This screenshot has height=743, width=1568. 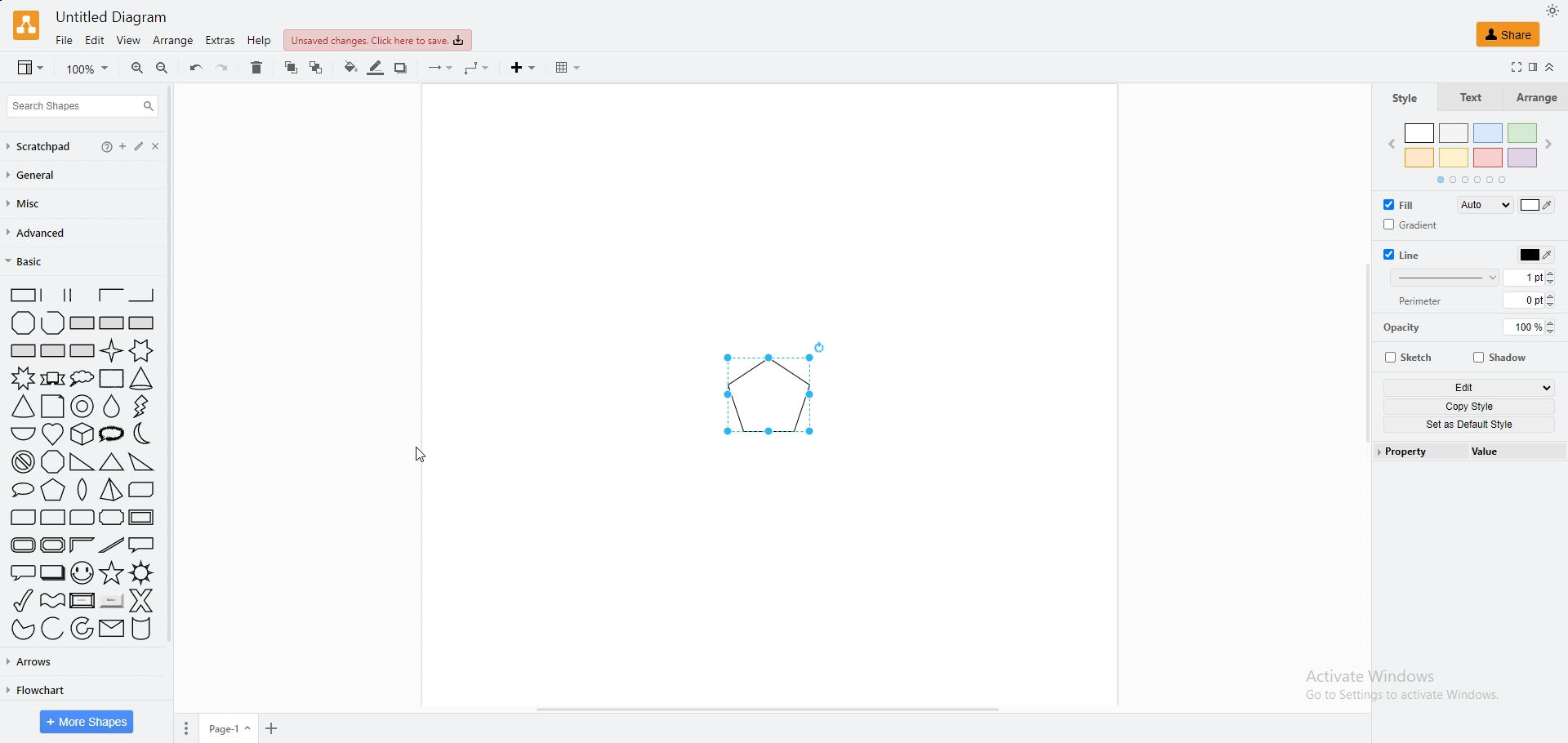 What do you see at coordinates (1556, 272) in the screenshot?
I see `increase line width` at bounding box center [1556, 272].